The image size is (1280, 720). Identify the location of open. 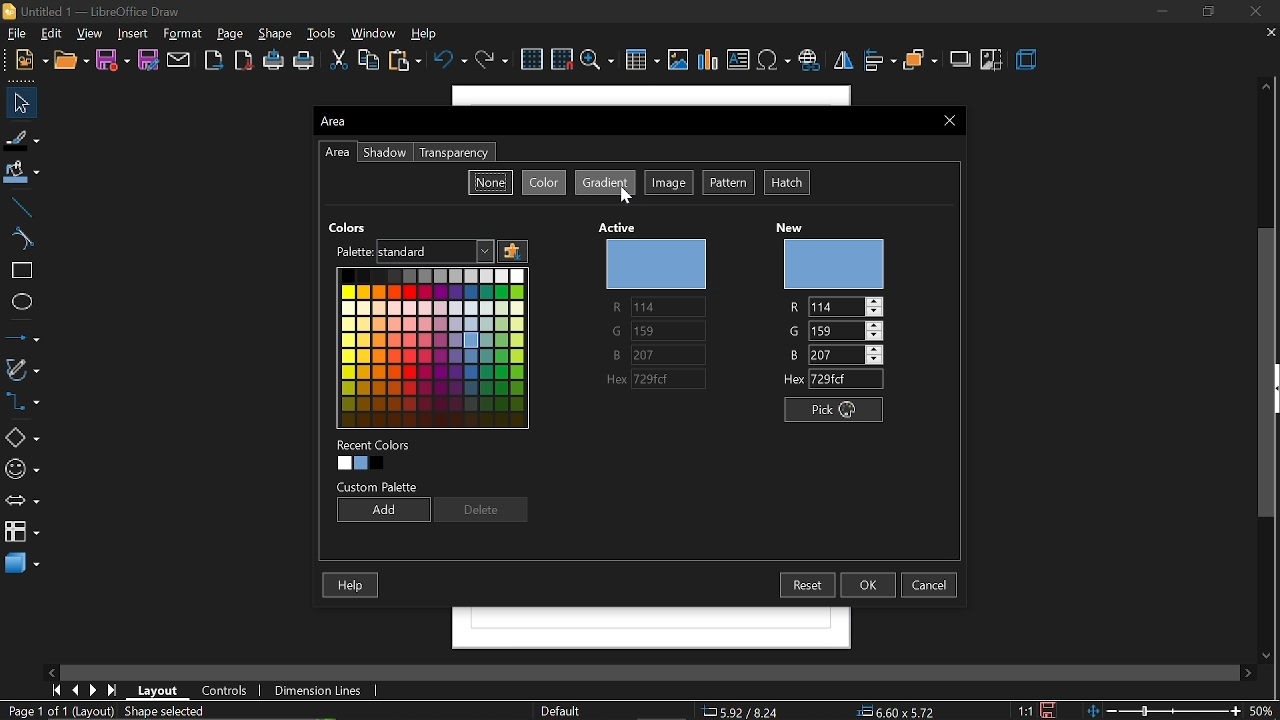
(70, 61).